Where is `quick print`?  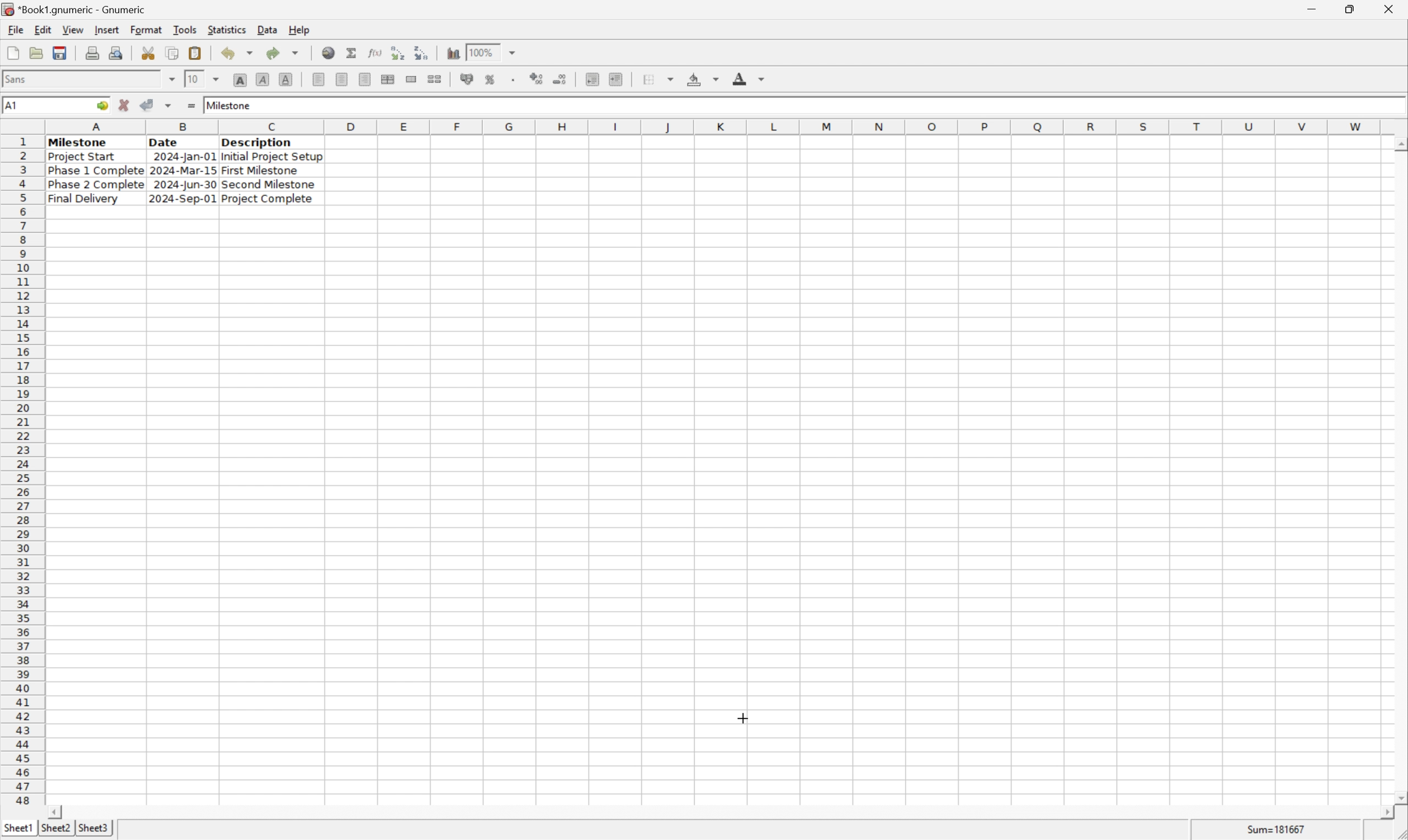 quick print is located at coordinates (117, 53).